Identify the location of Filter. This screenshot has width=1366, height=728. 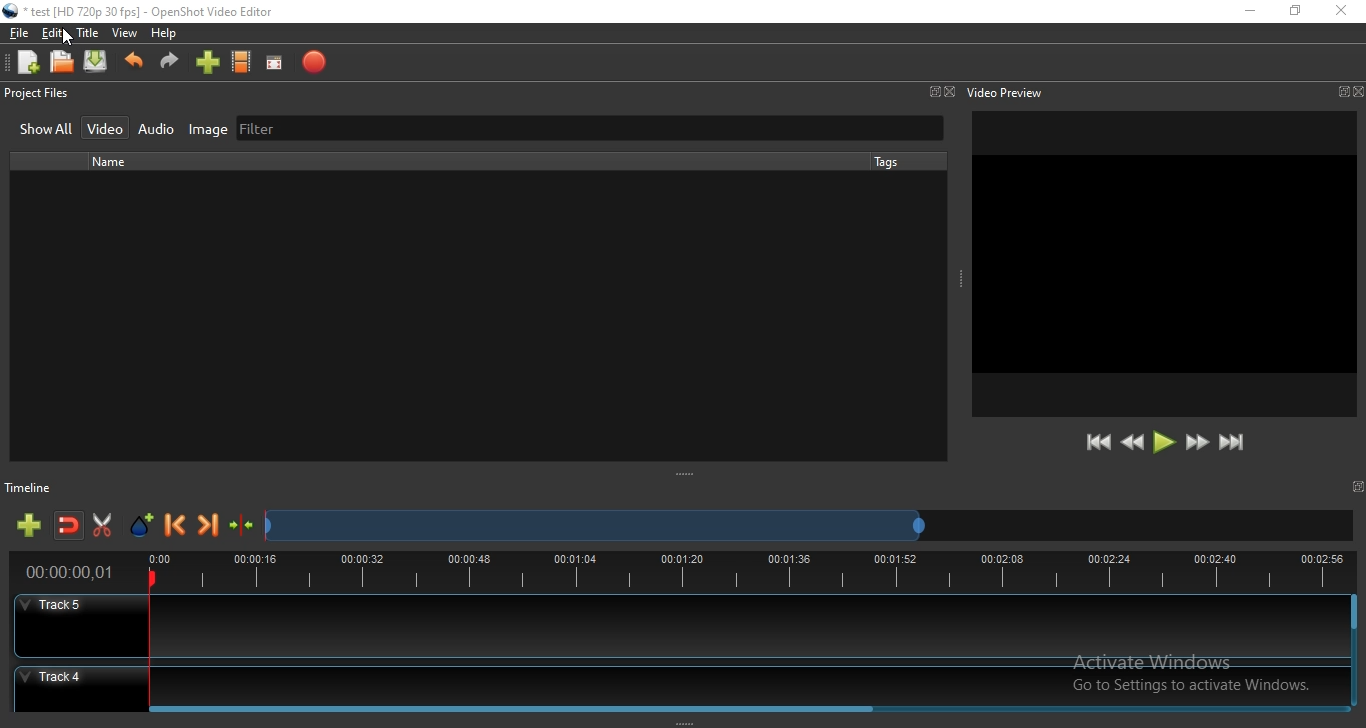
(587, 129).